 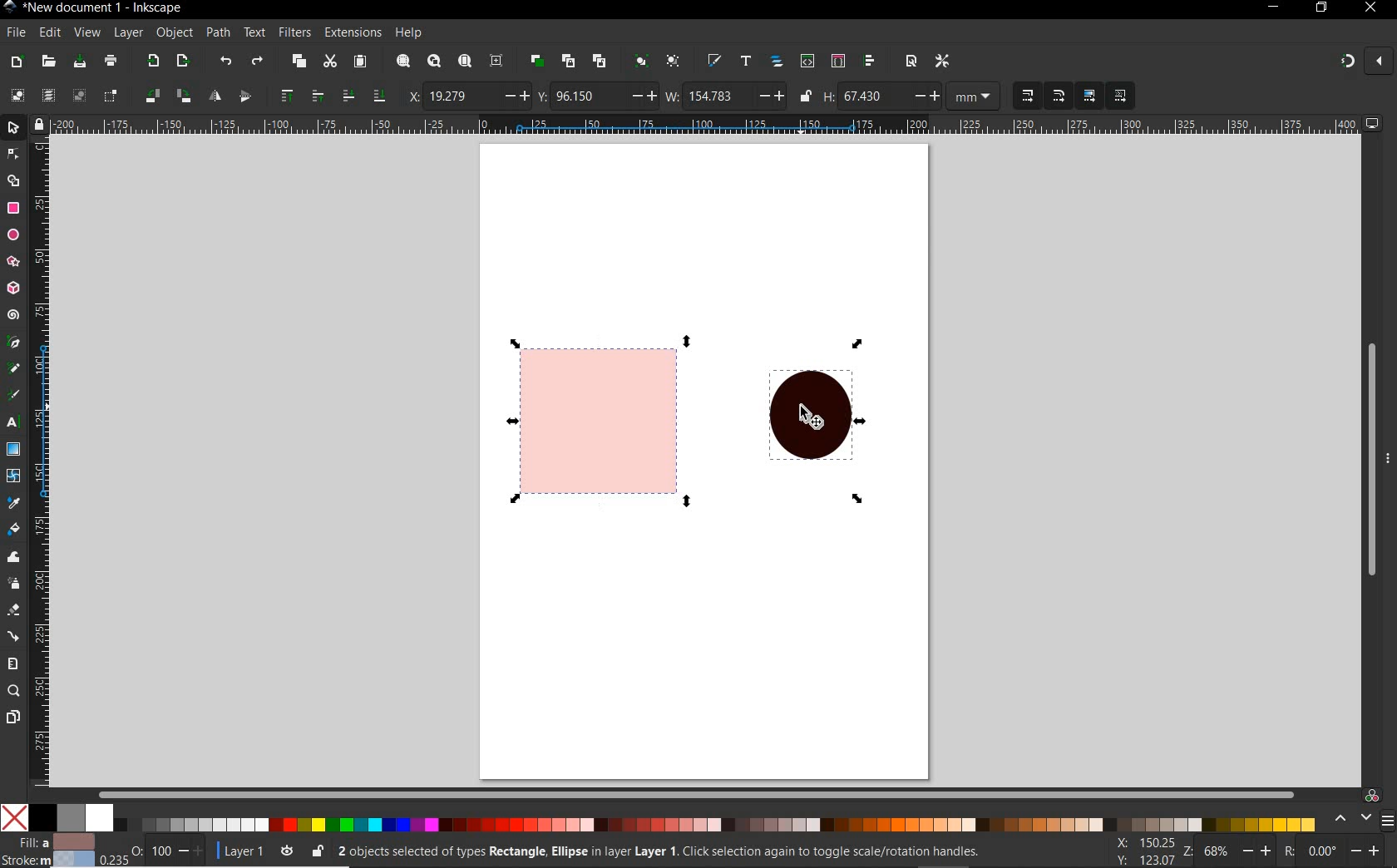 What do you see at coordinates (435, 61) in the screenshot?
I see `zoom drawing` at bounding box center [435, 61].